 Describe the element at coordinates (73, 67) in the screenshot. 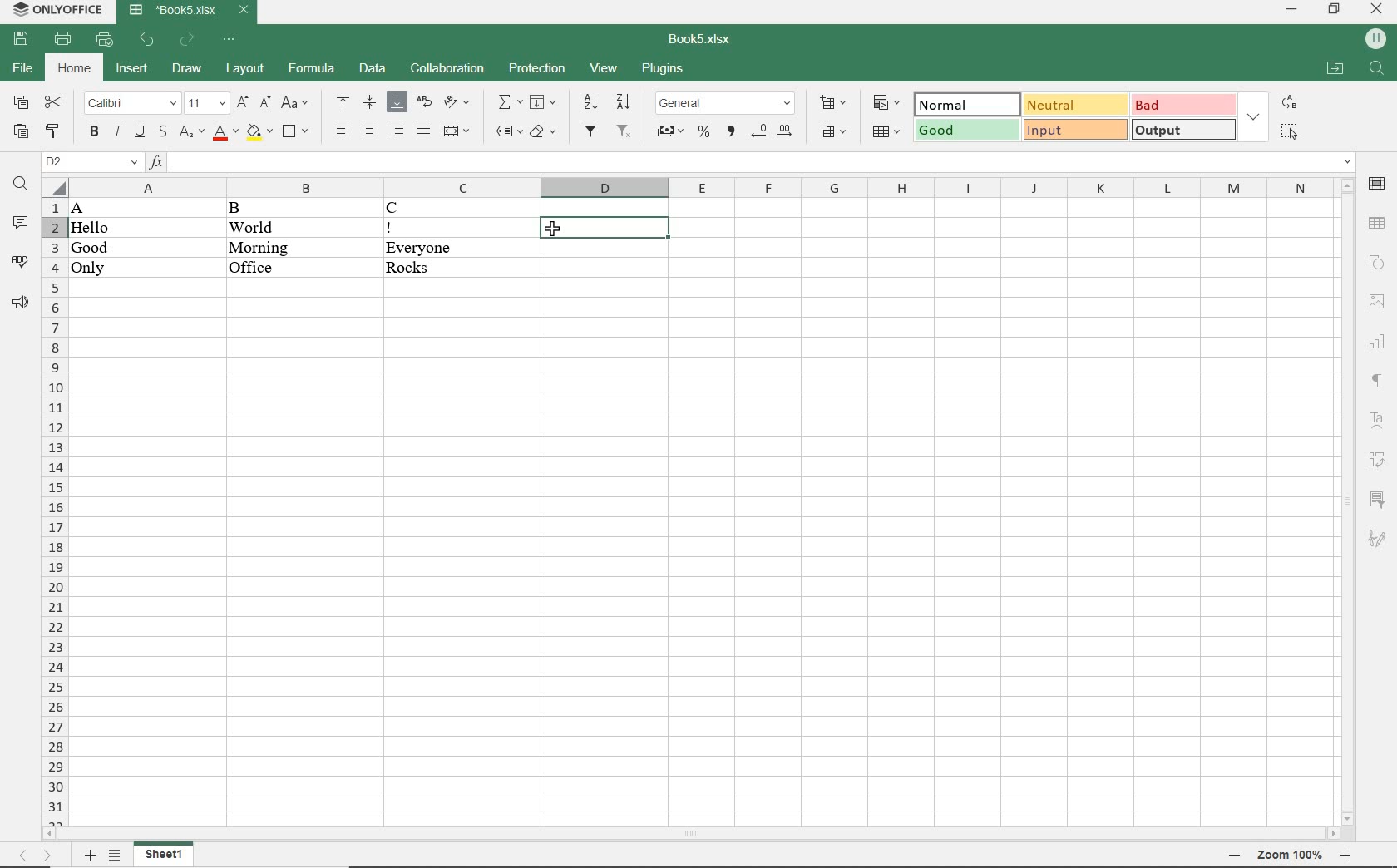

I see `home` at that location.